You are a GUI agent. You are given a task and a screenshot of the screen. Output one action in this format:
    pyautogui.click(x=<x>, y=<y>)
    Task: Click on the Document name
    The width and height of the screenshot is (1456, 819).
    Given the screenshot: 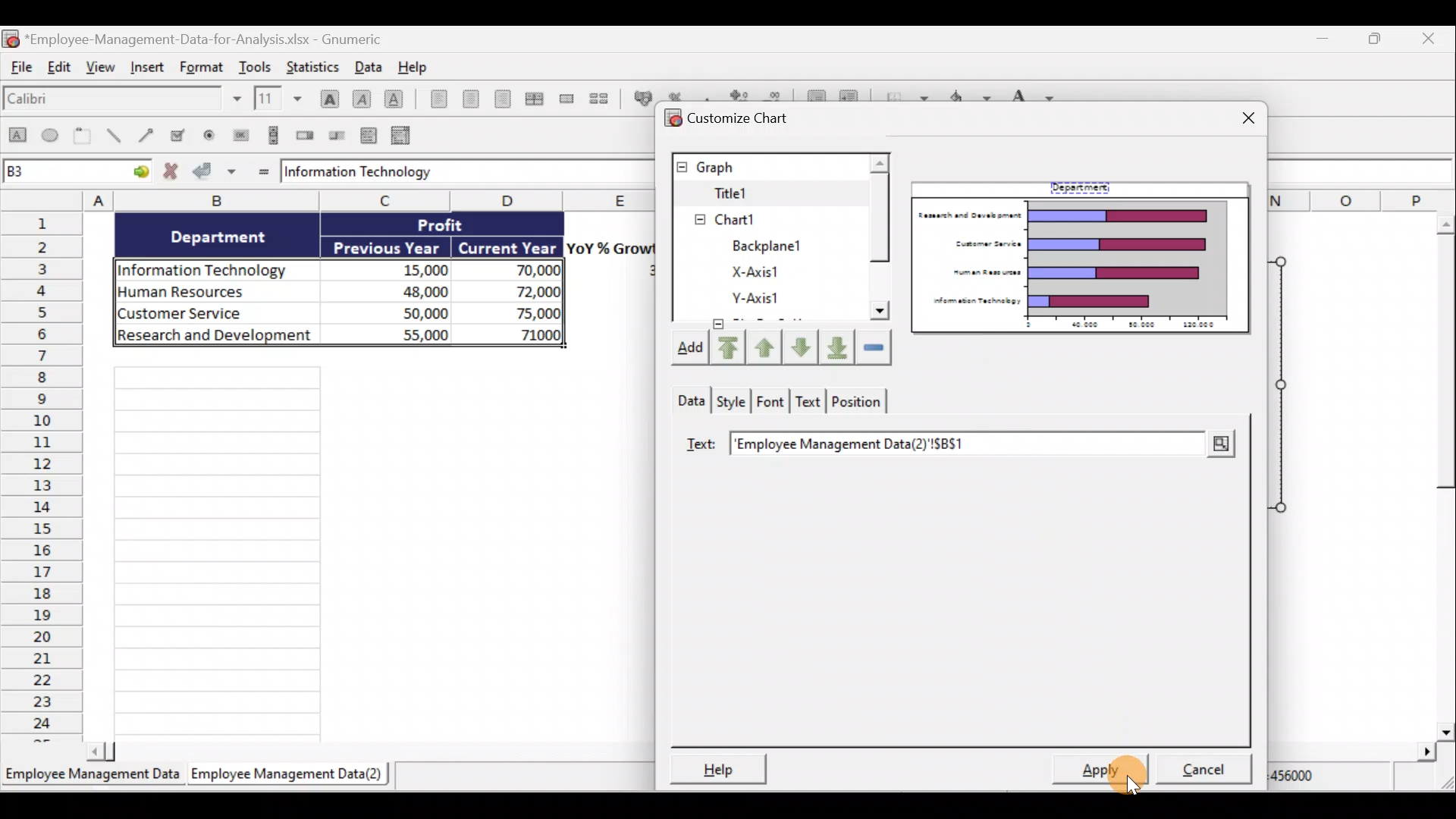 What is the action you would take?
    pyautogui.click(x=194, y=37)
    